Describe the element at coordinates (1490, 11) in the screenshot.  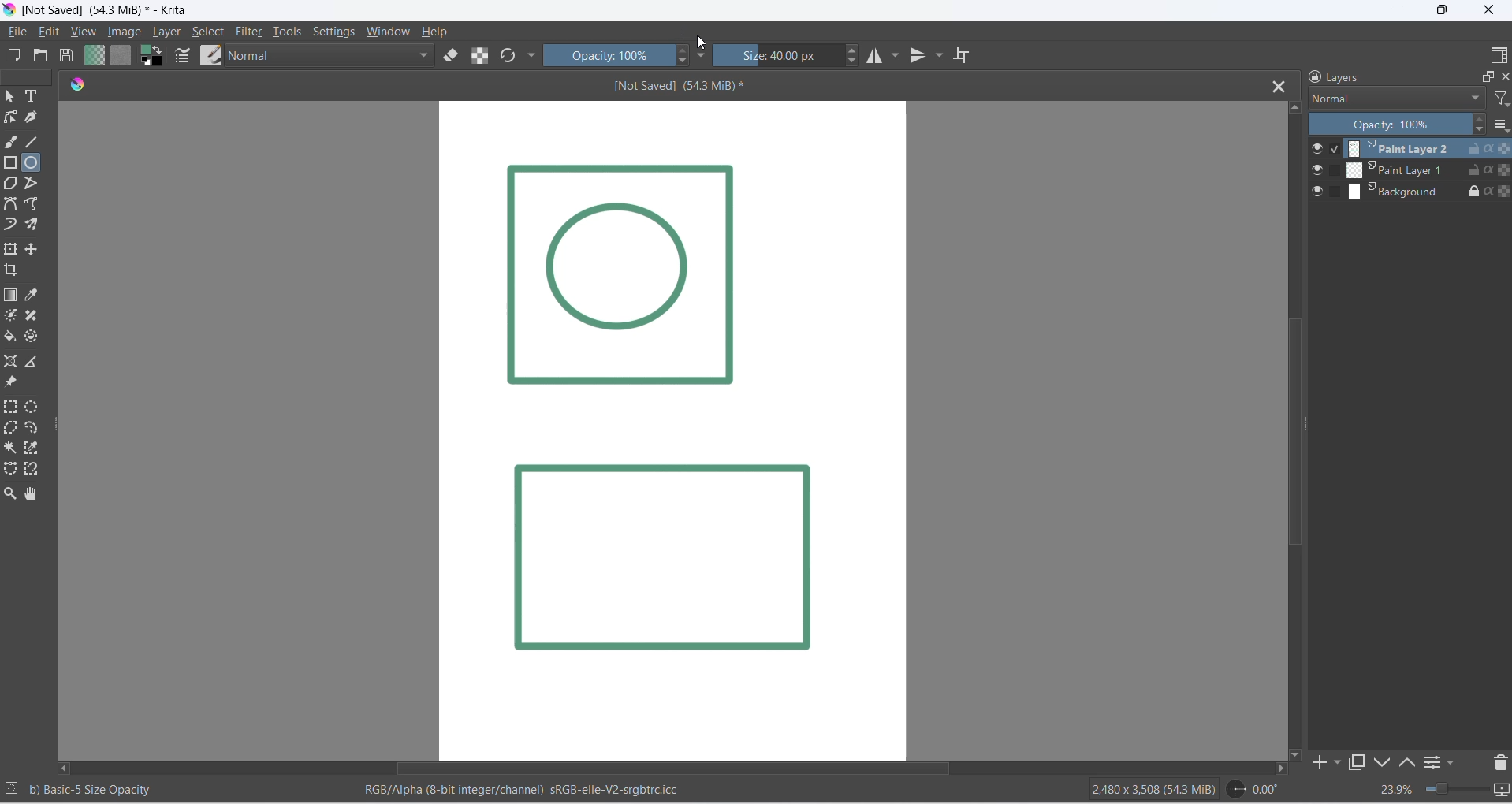
I see `close` at that location.